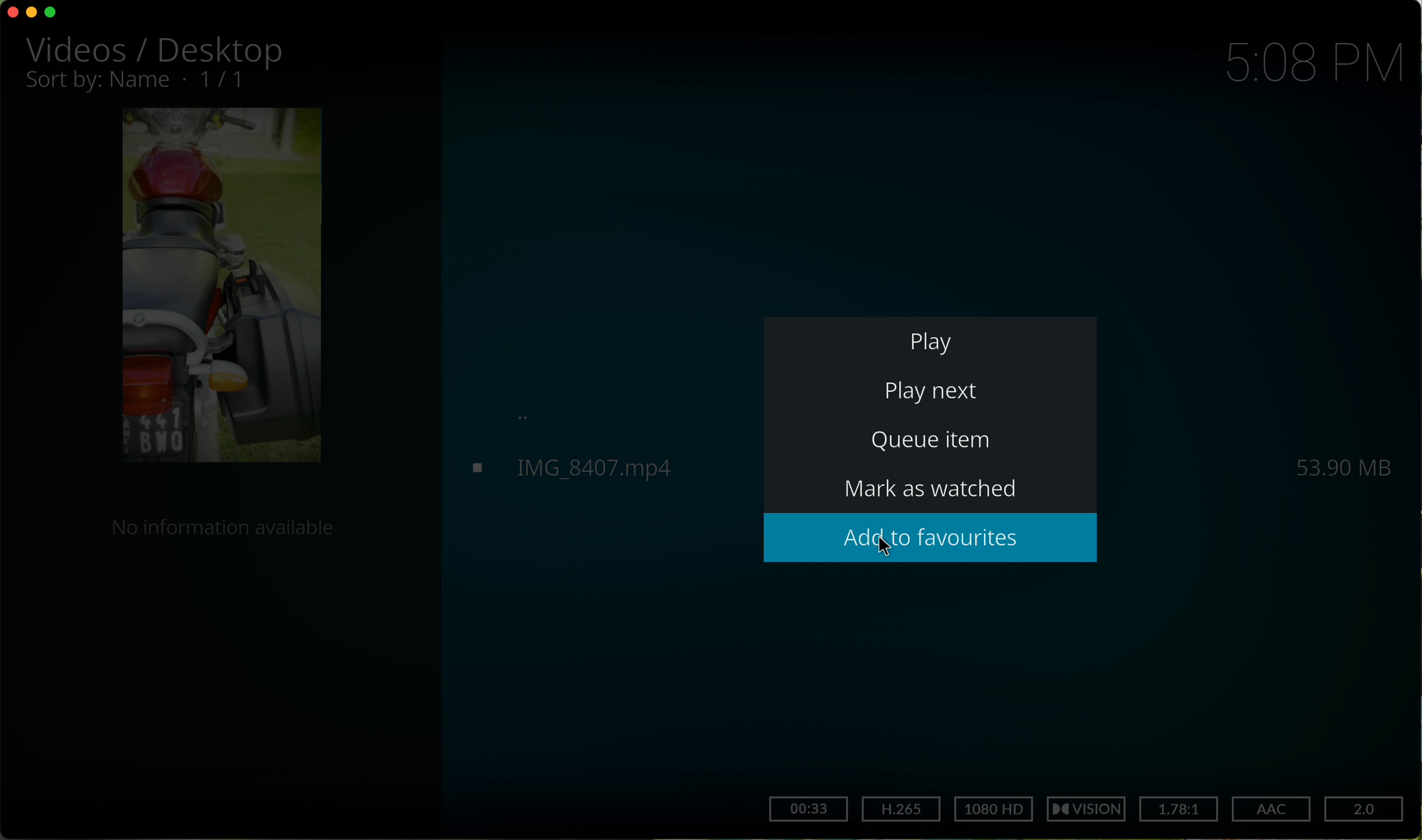 The image size is (1422, 840). Describe the element at coordinates (941, 492) in the screenshot. I see `mark as watched` at that location.